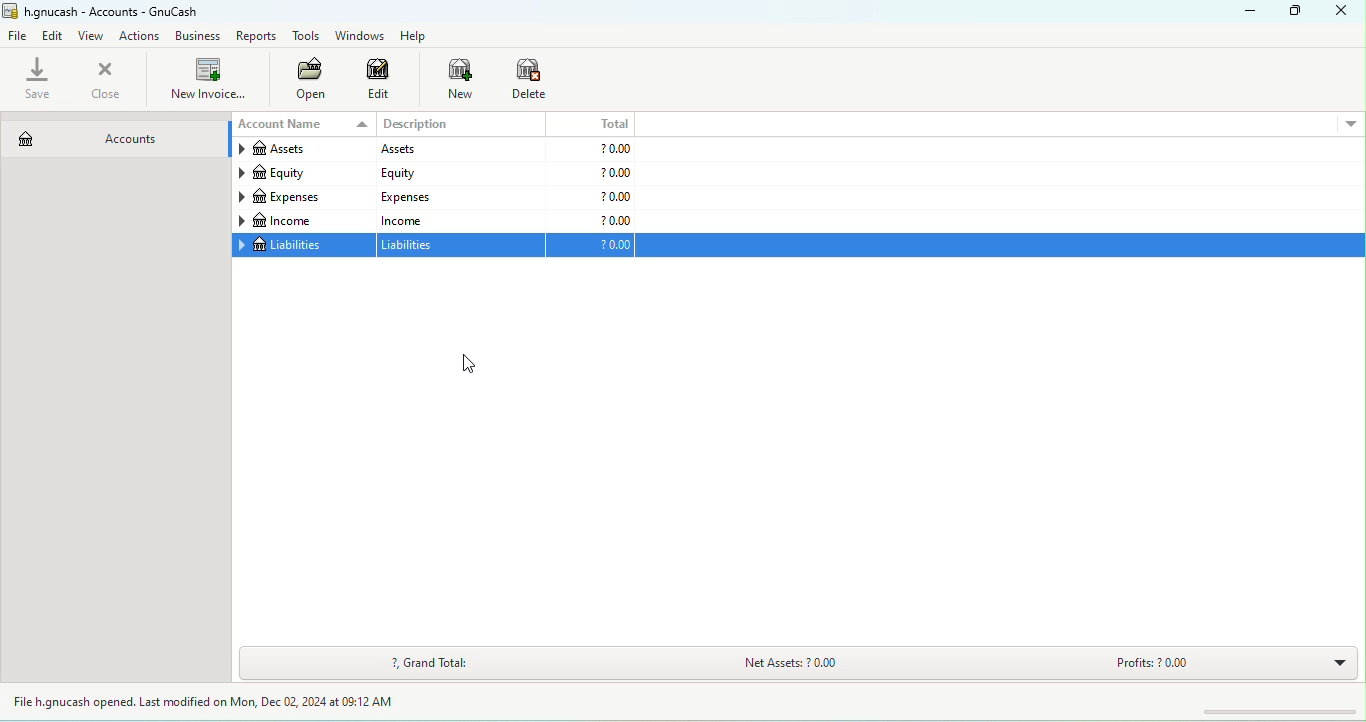  What do you see at coordinates (458, 220) in the screenshot?
I see `income` at bounding box center [458, 220].